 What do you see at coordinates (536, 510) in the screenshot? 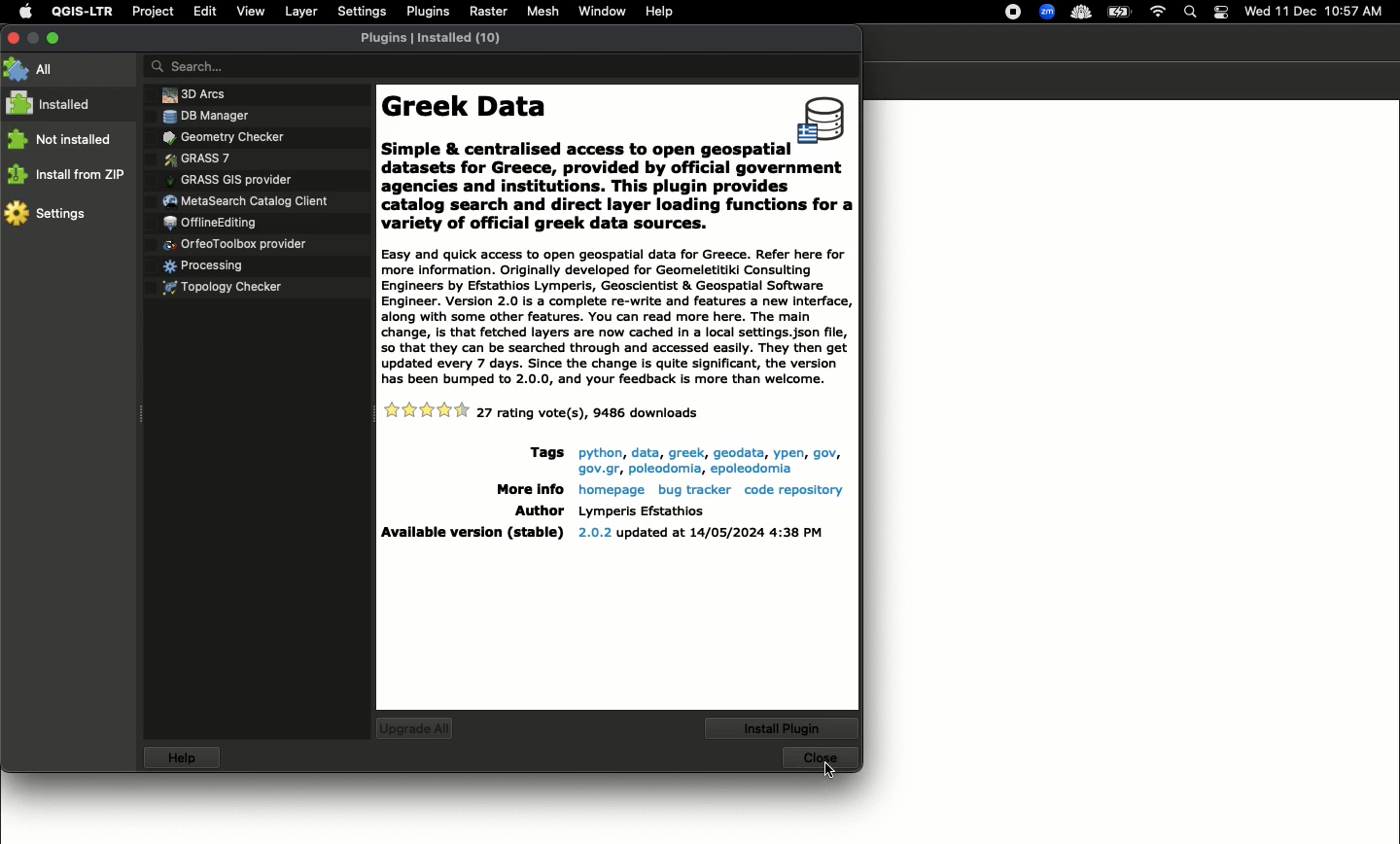
I see `author` at bounding box center [536, 510].